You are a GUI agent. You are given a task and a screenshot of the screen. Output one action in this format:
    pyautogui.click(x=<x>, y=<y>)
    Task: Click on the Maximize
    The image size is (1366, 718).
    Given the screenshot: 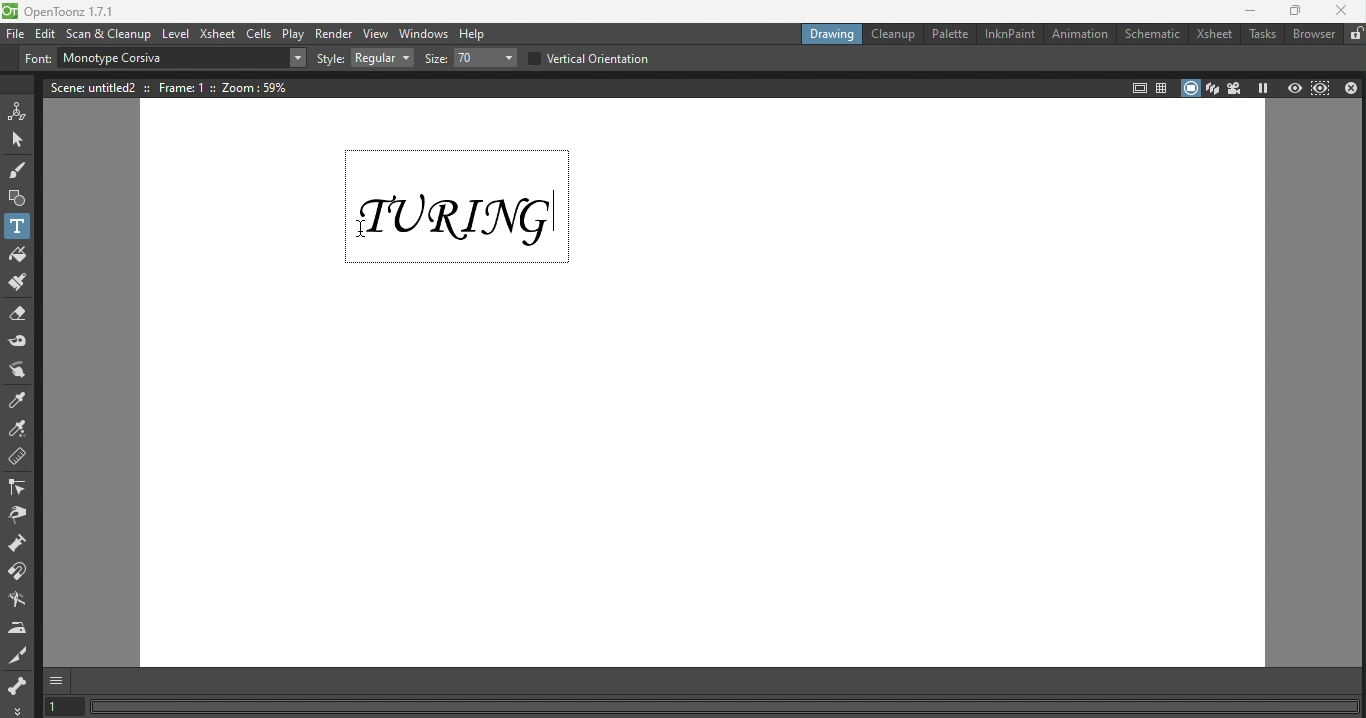 What is the action you would take?
    pyautogui.click(x=1297, y=12)
    